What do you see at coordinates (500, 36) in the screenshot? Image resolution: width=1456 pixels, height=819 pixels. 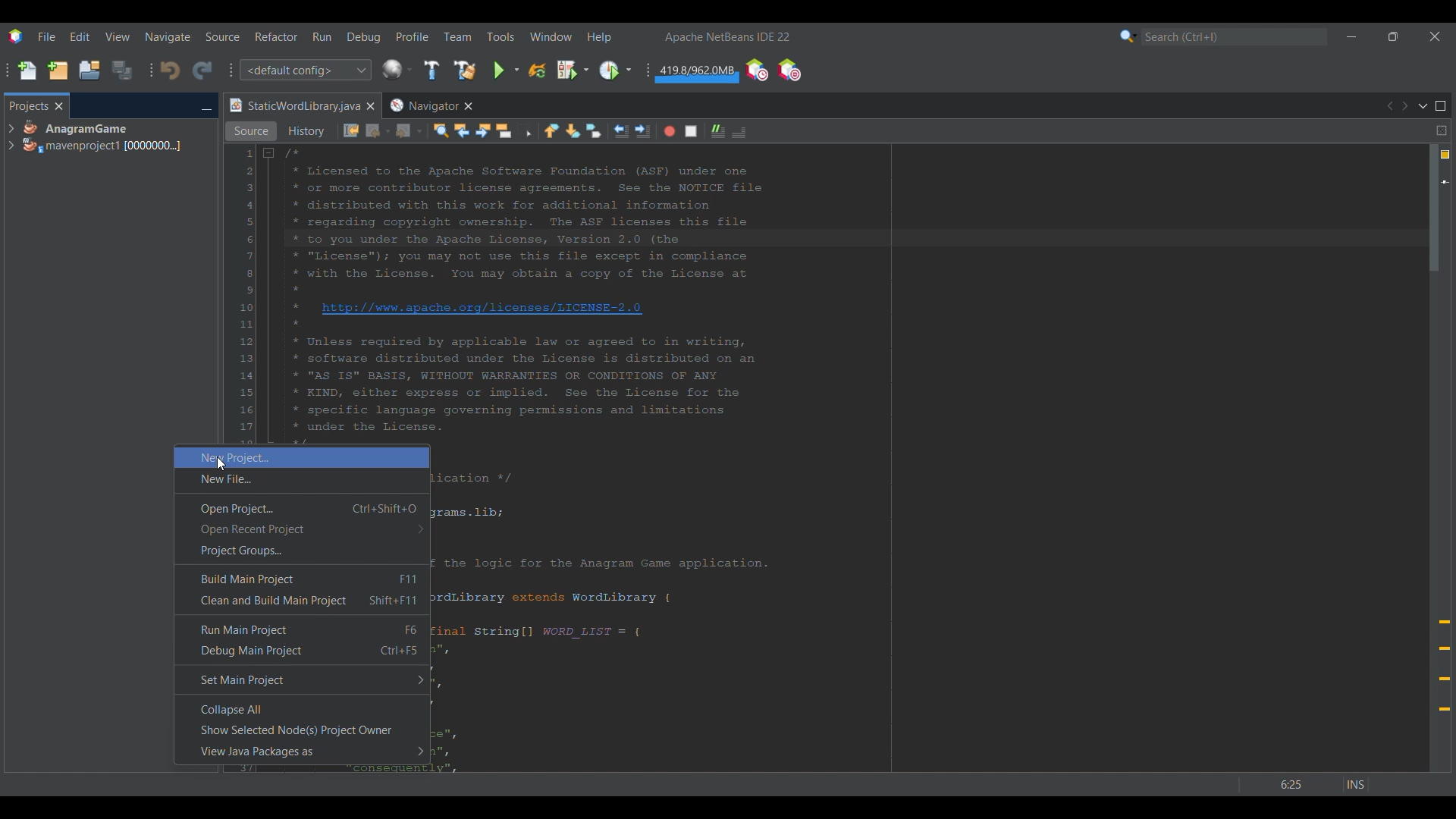 I see `Tools menu` at bounding box center [500, 36].